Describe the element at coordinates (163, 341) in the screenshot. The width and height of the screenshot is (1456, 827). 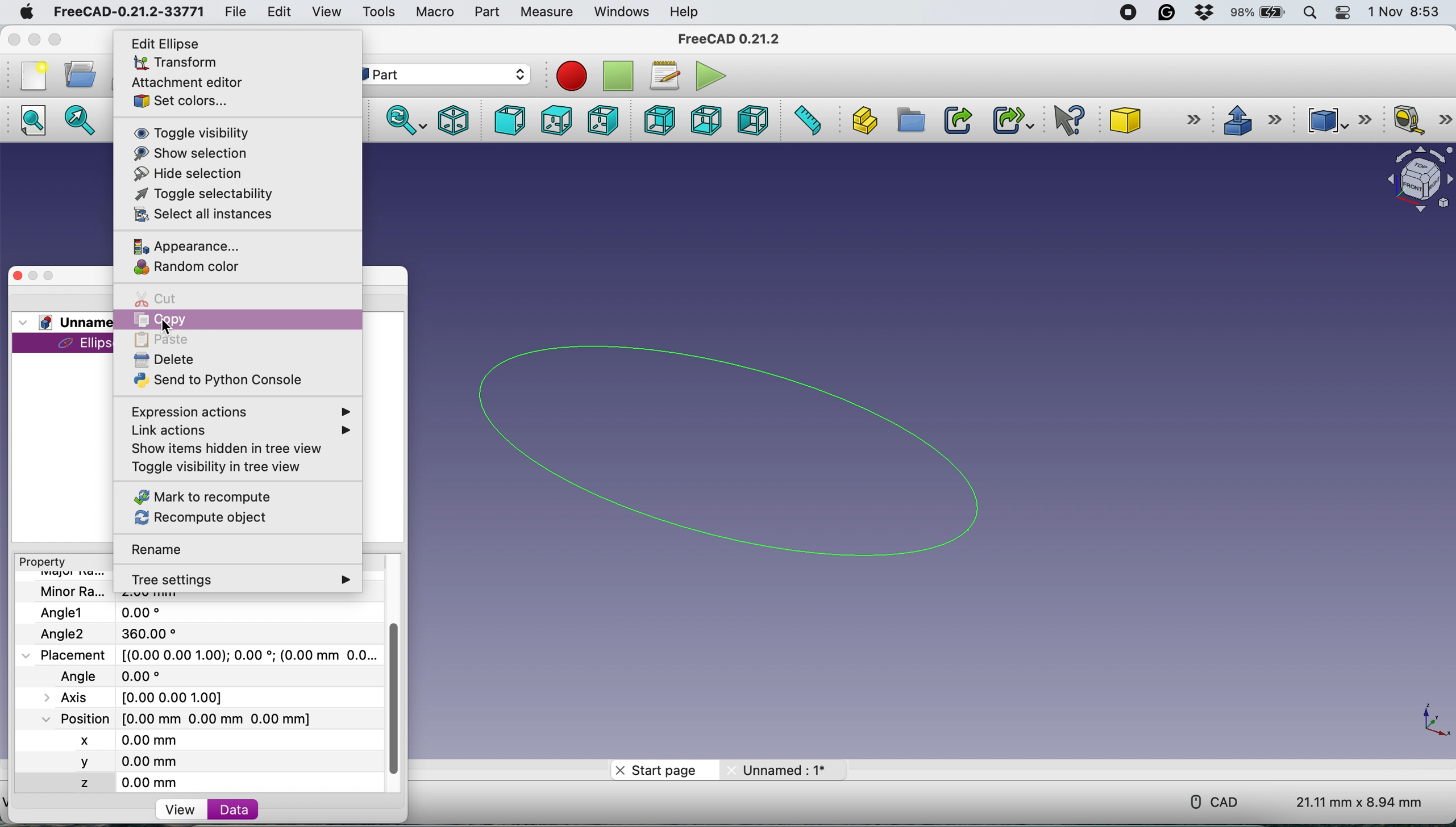
I see `paste` at that location.